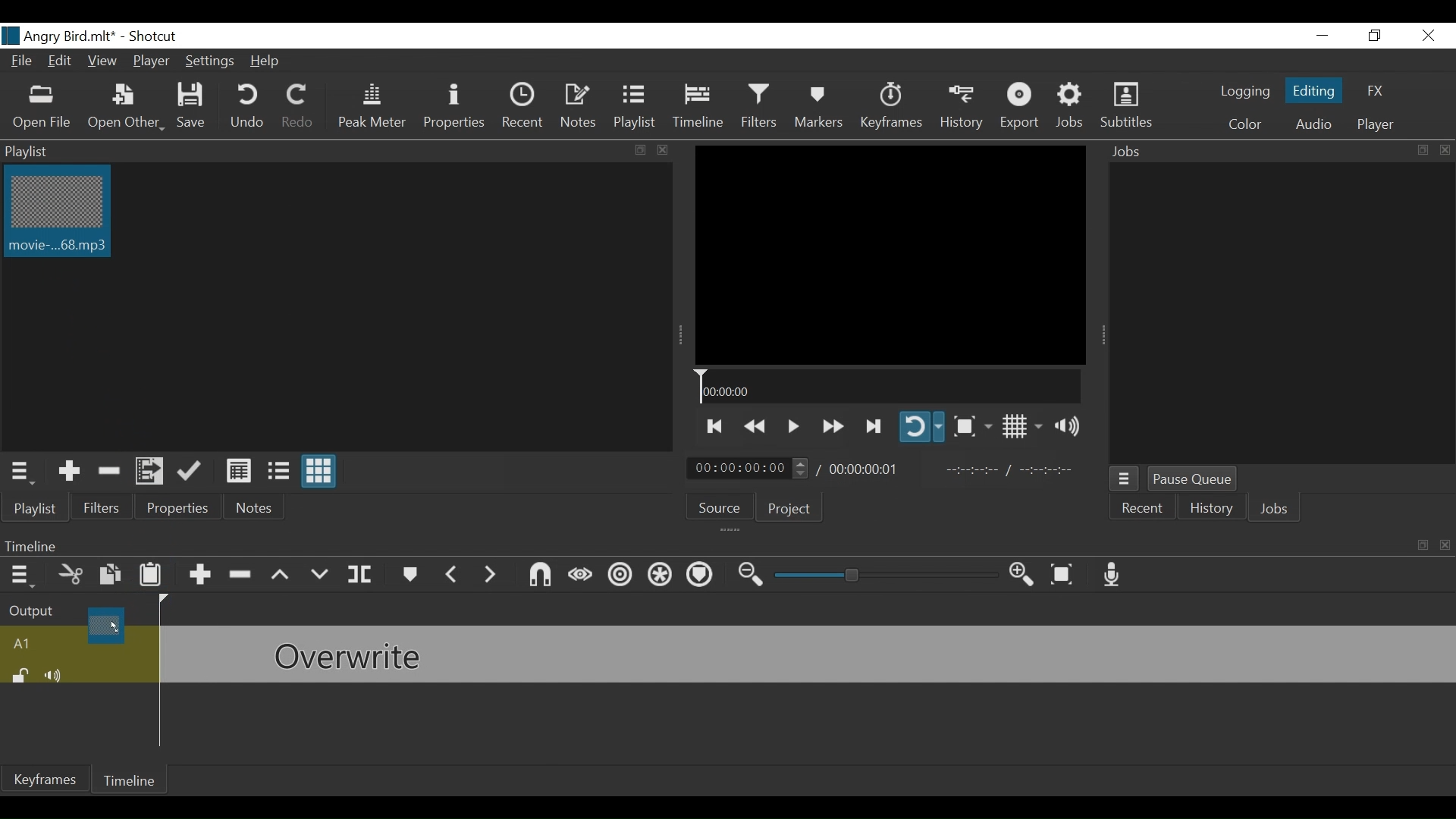  I want to click on Edit, so click(61, 63).